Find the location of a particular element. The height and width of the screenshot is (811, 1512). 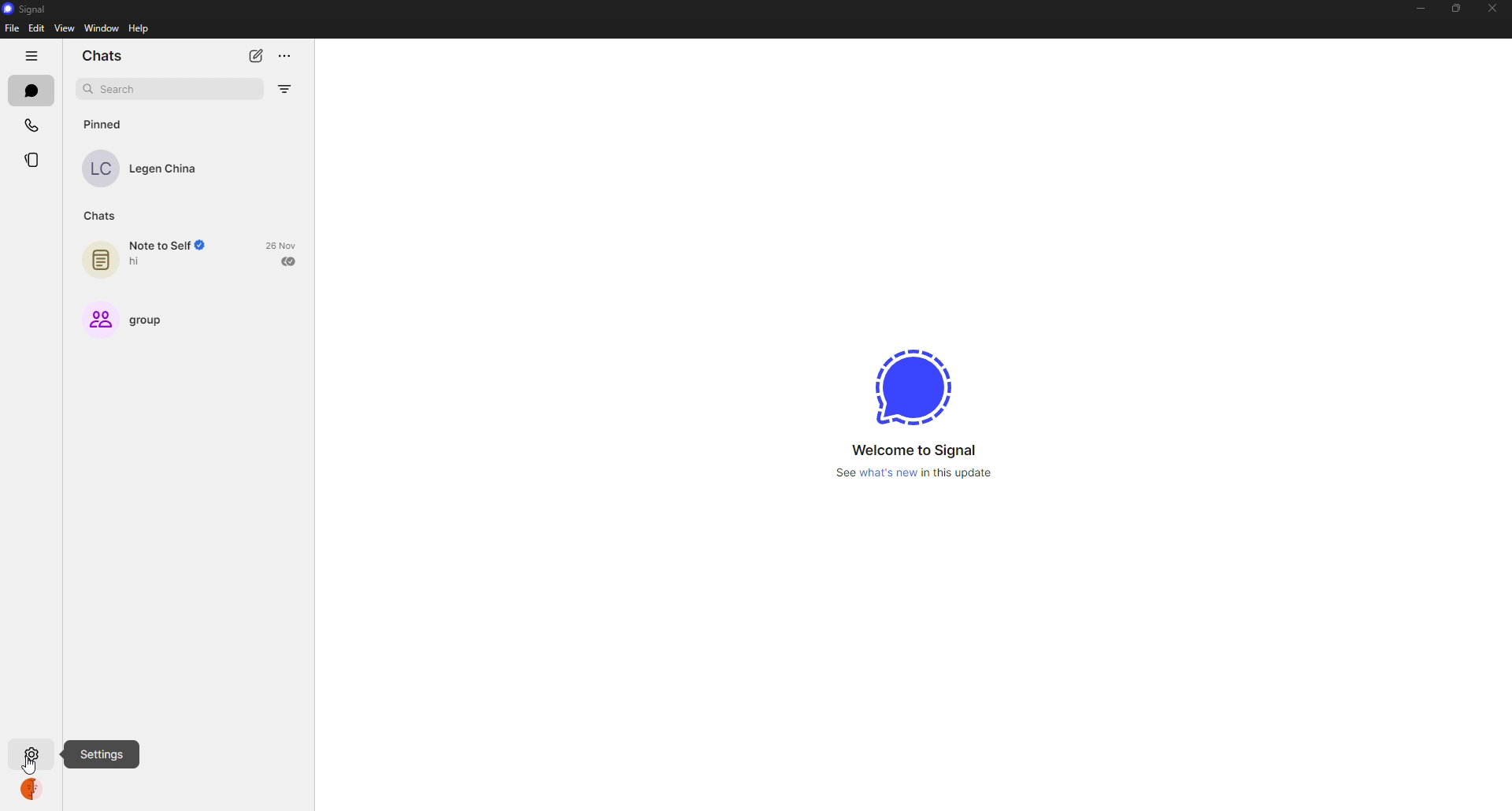

sent is located at coordinates (290, 261).